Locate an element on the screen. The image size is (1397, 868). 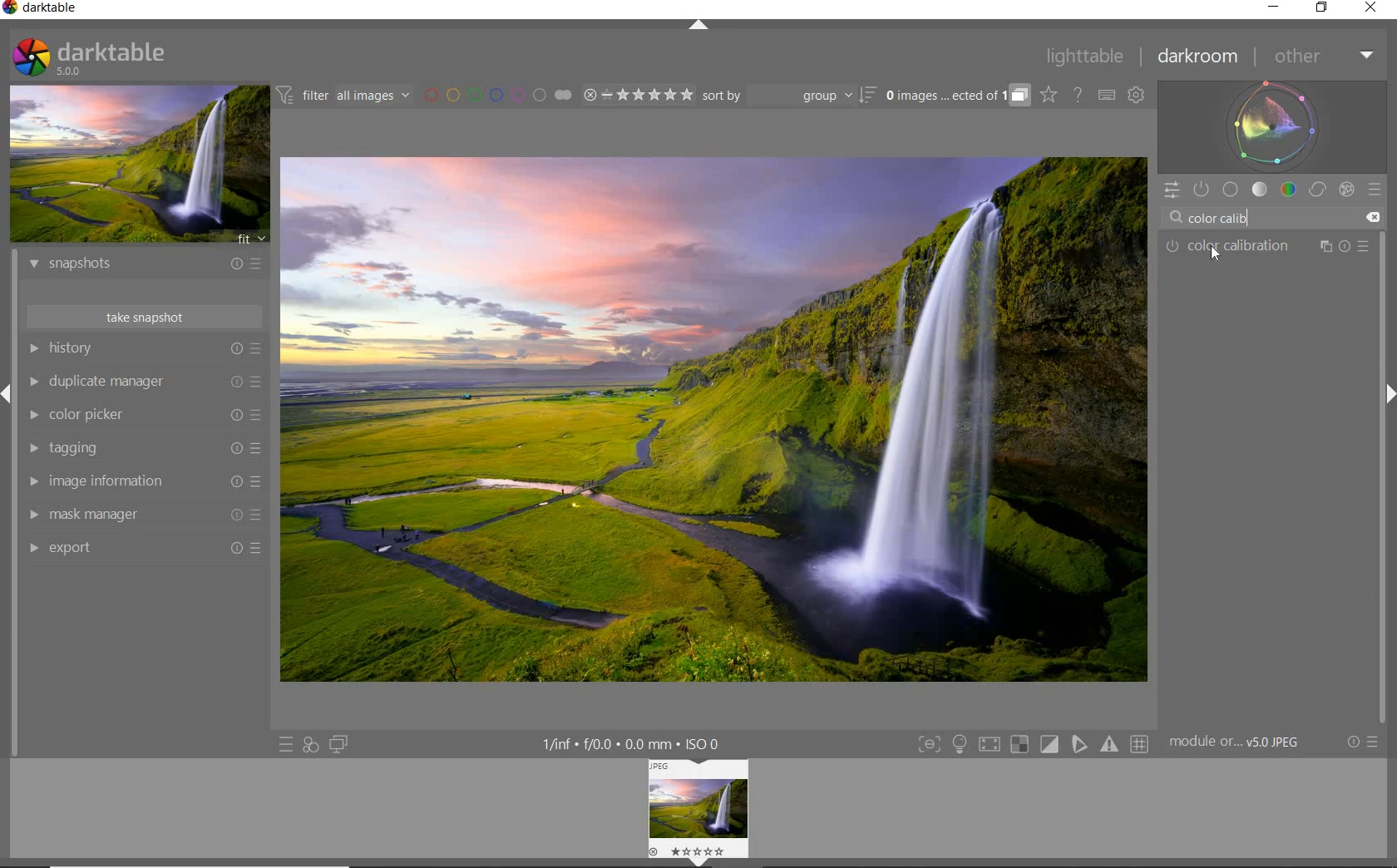
Expand/Collapse is located at coordinates (8, 397).